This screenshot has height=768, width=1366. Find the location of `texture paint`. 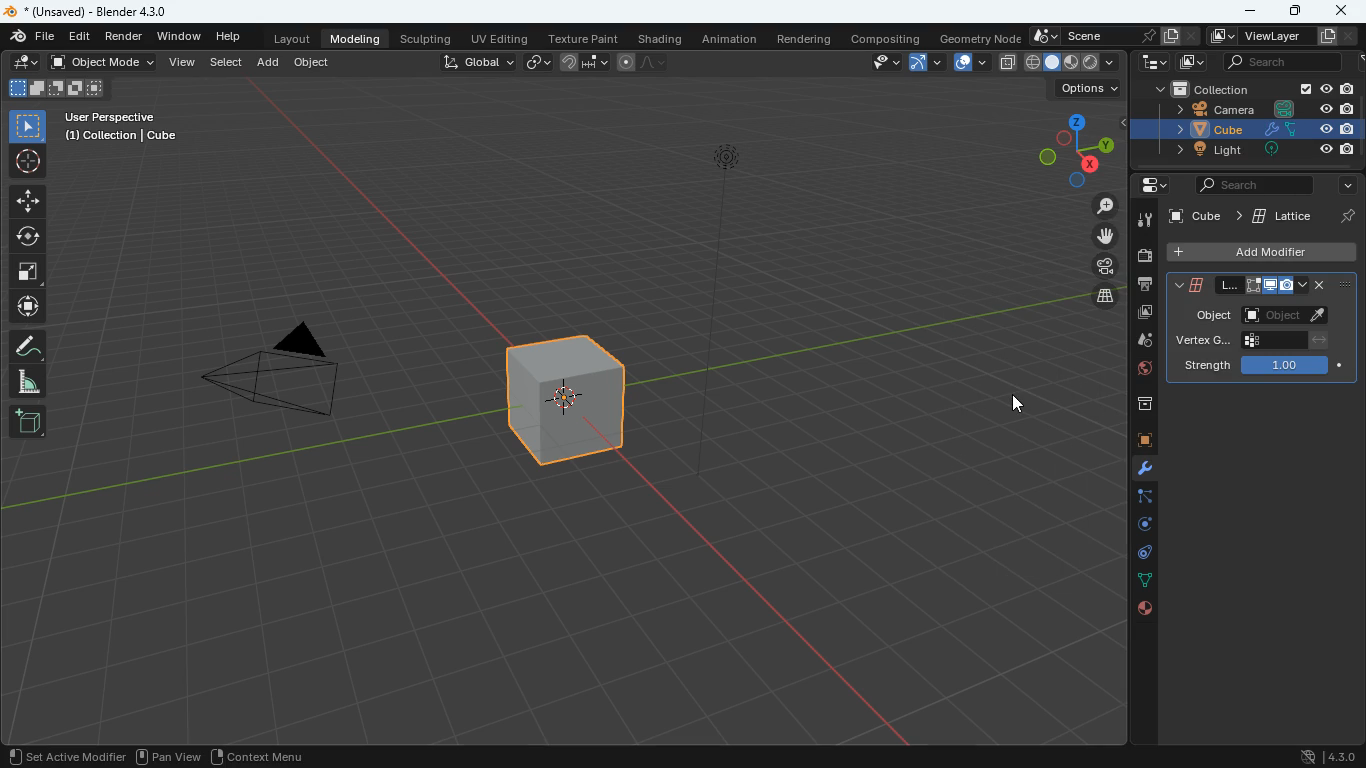

texture paint is located at coordinates (581, 36).